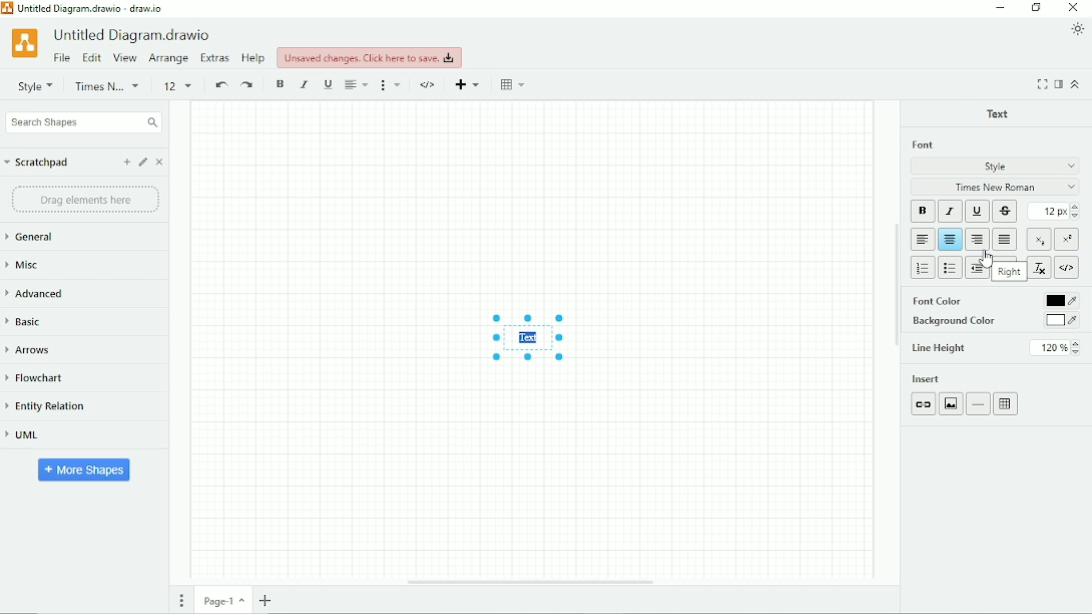 This screenshot has height=614, width=1092. Describe the element at coordinates (532, 338) in the screenshot. I see `Text` at that location.